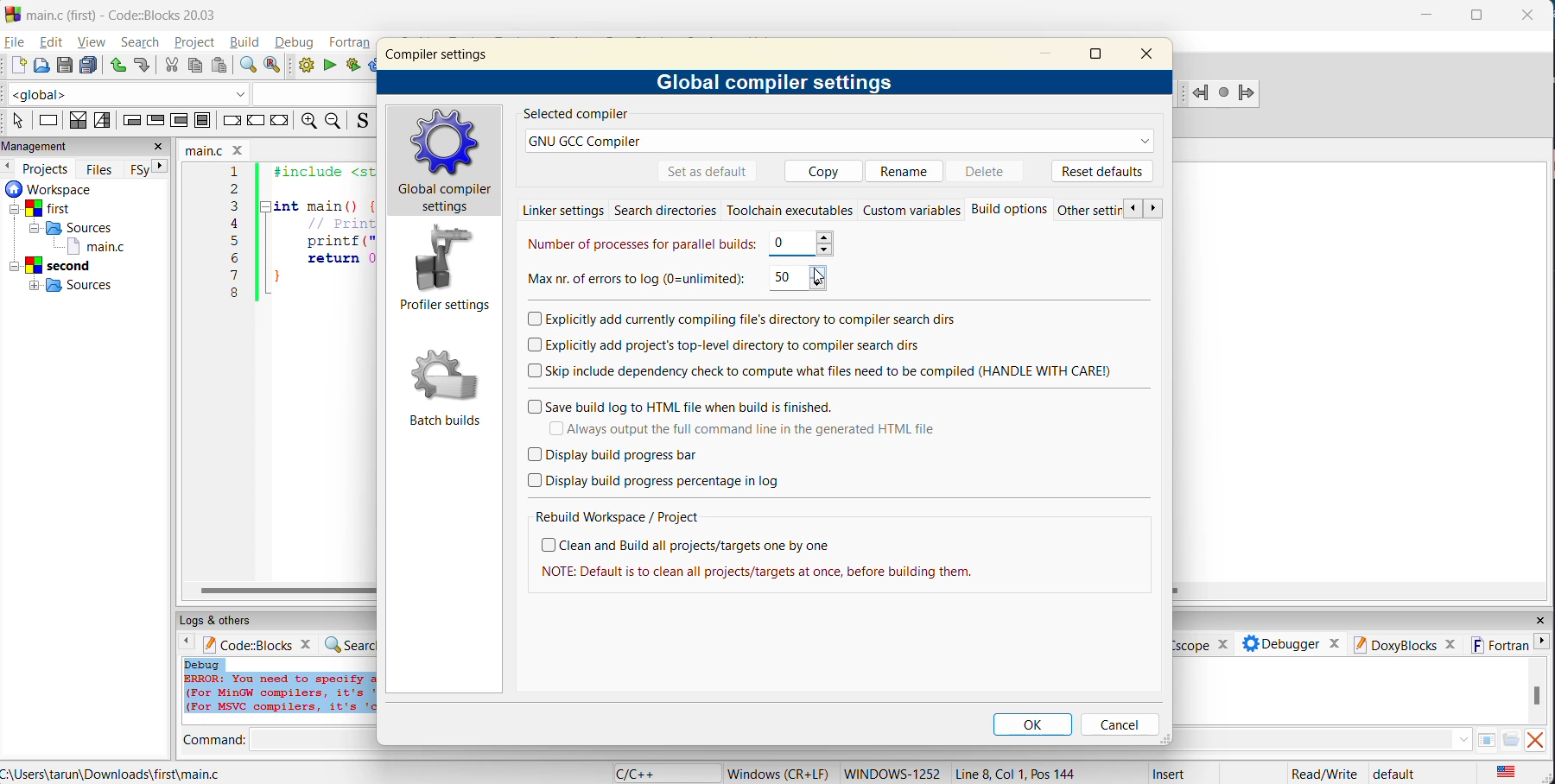  Describe the element at coordinates (122, 772) in the screenshot. I see `C:\Users\tarun\Downloads\first\main.c` at that location.